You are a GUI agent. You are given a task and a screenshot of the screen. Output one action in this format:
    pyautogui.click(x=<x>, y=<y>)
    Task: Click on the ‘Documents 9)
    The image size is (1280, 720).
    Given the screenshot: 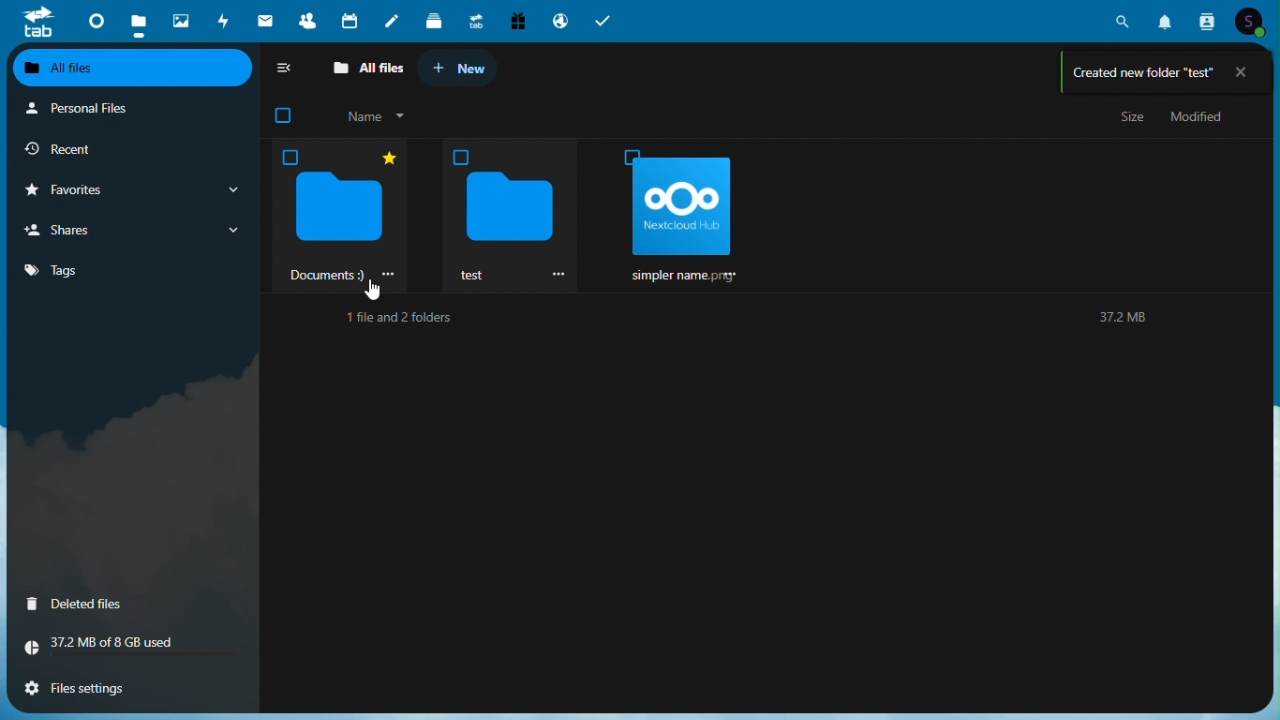 What is the action you would take?
    pyautogui.click(x=345, y=217)
    